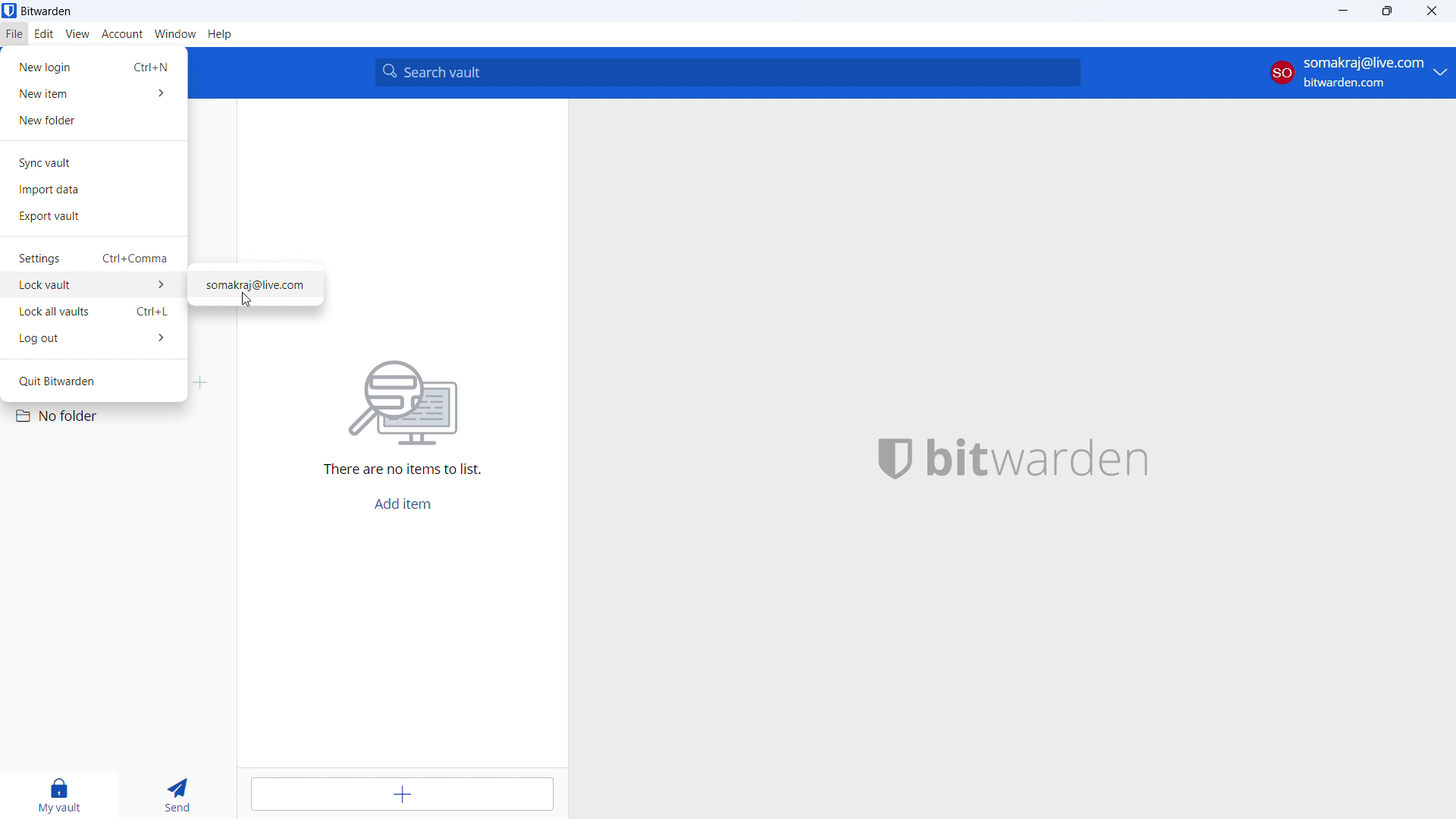 The width and height of the screenshot is (1456, 819). Describe the element at coordinates (176, 34) in the screenshot. I see `window` at that location.